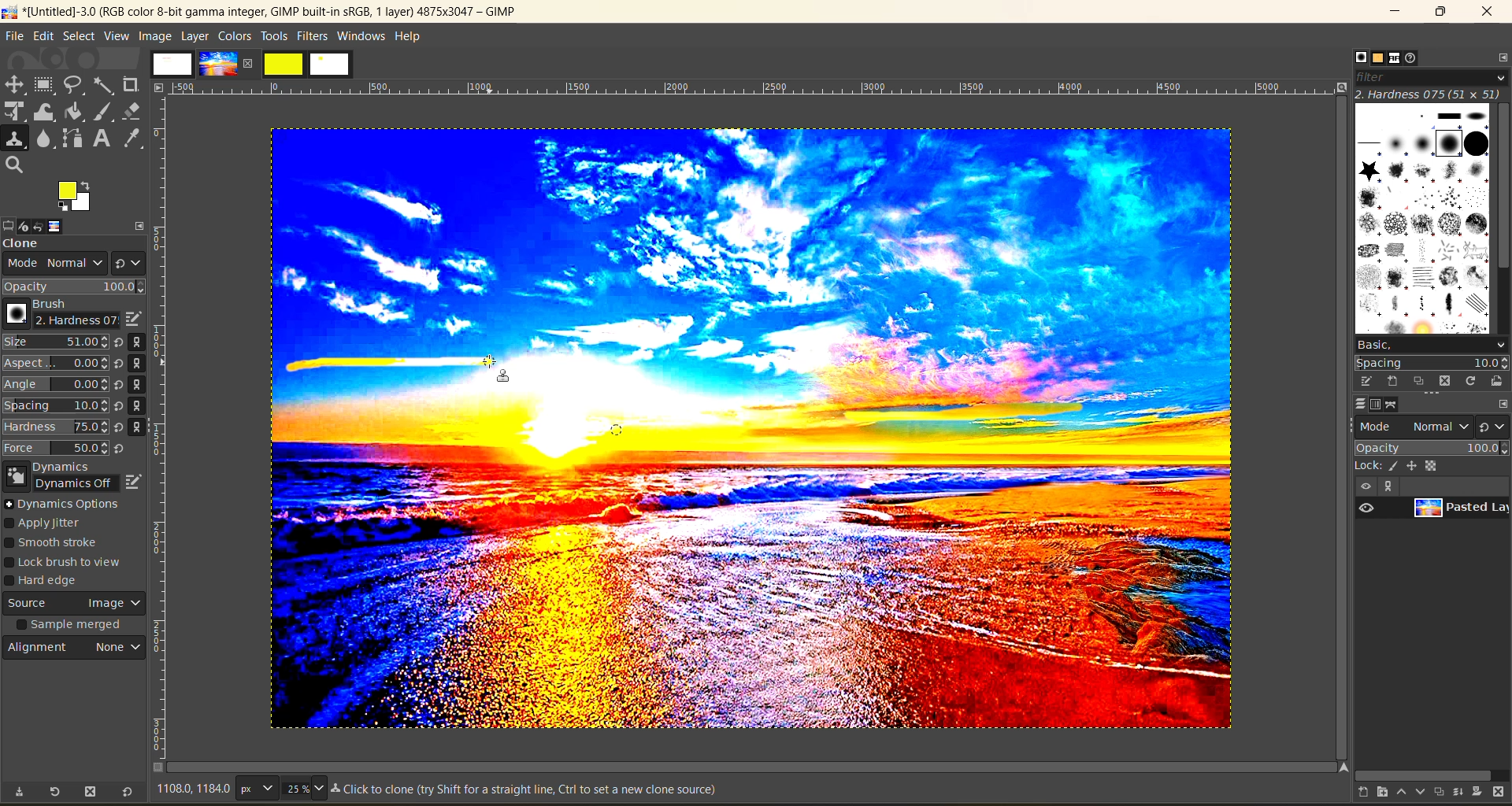  Describe the element at coordinates (191, 791) in the screenshot. I see `740.0, 1580.0` at that location.